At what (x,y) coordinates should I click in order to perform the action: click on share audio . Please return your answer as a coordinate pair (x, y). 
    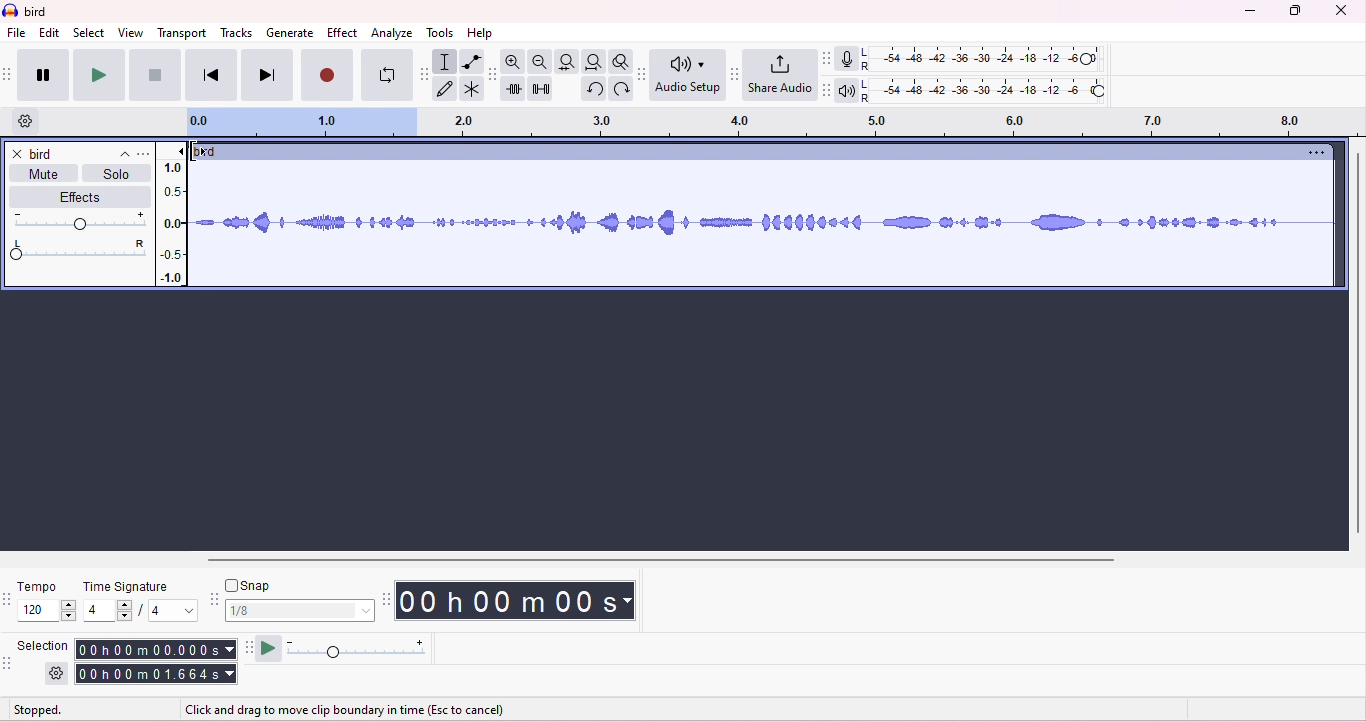
    Looking at the image, I should click on (779, 75).